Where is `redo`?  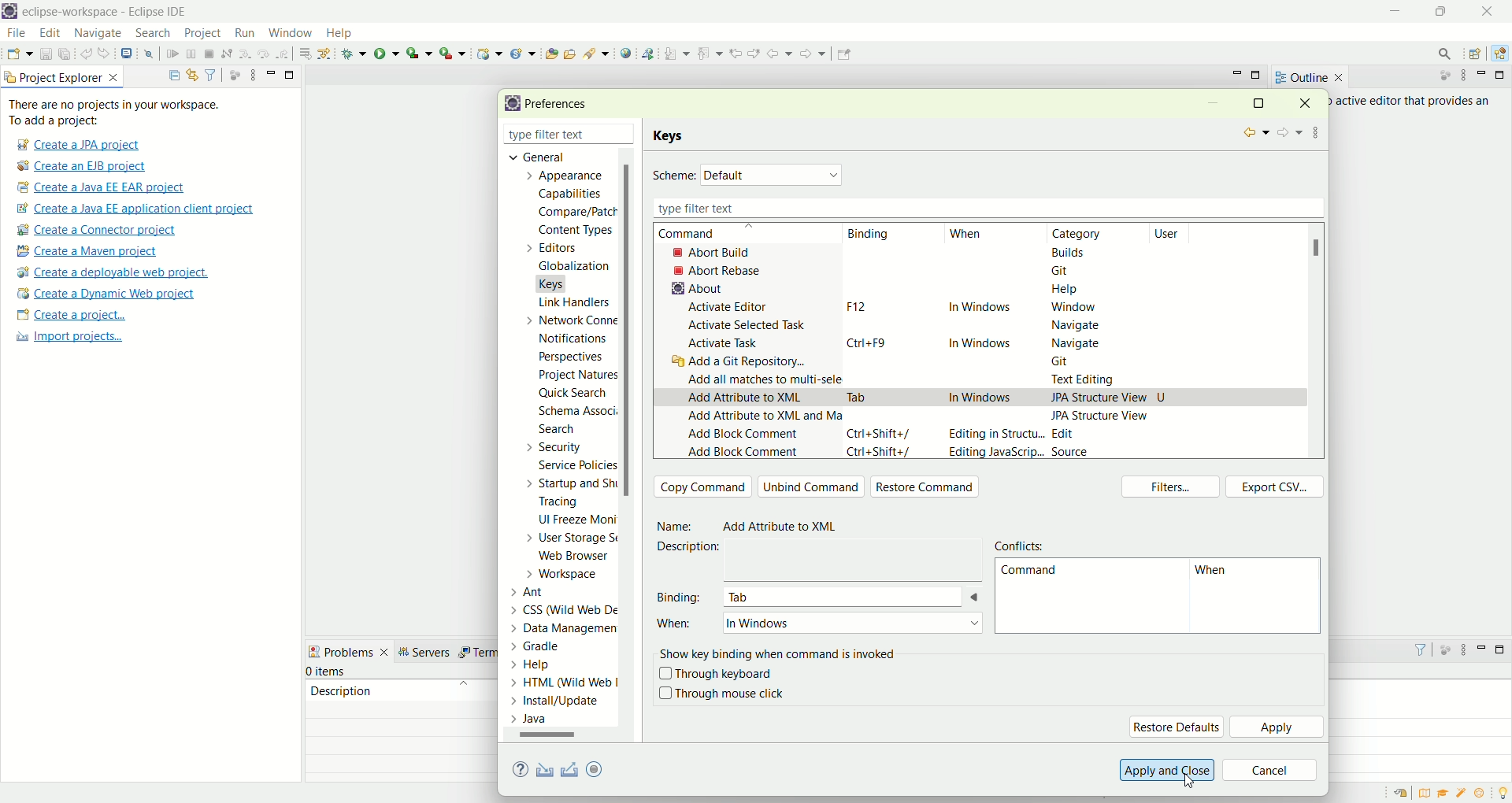 redo is located at coordinates (107, 54).